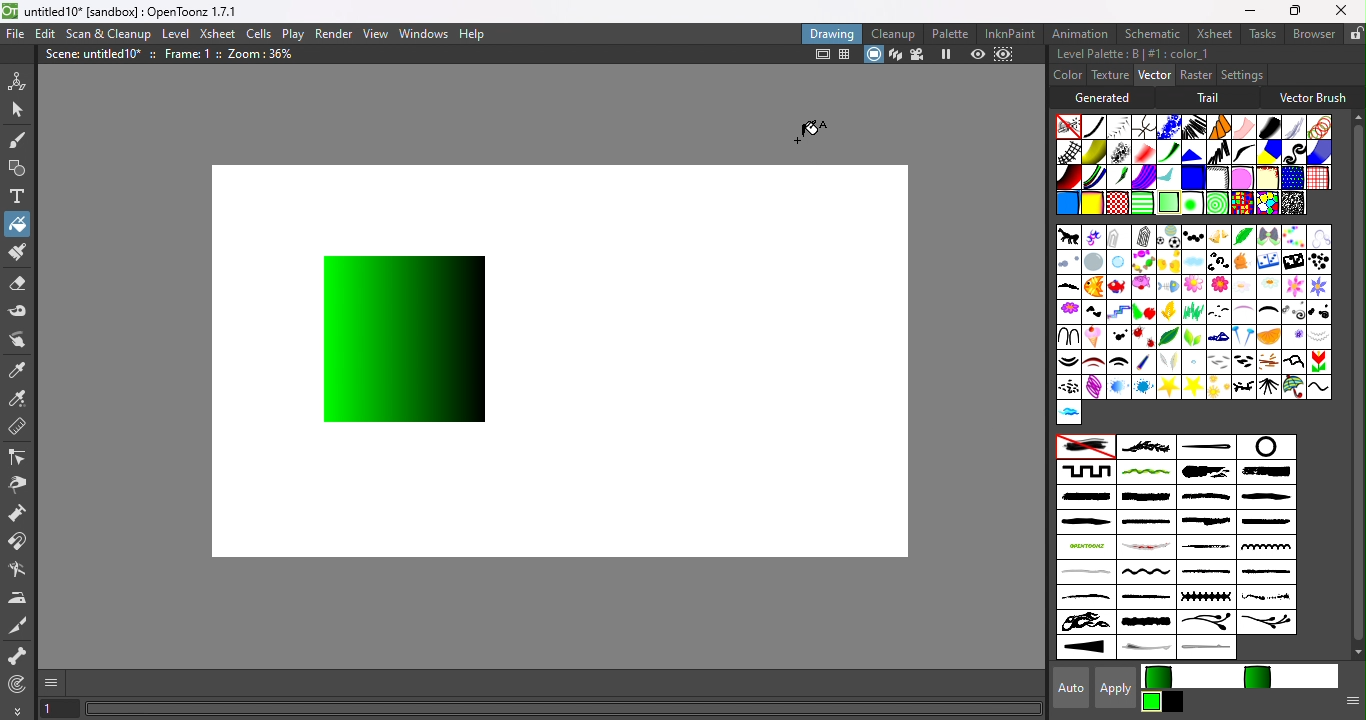  Describe the element at coordinates (1120, 126) in the screenshot. I see `Herringbone` at that location.